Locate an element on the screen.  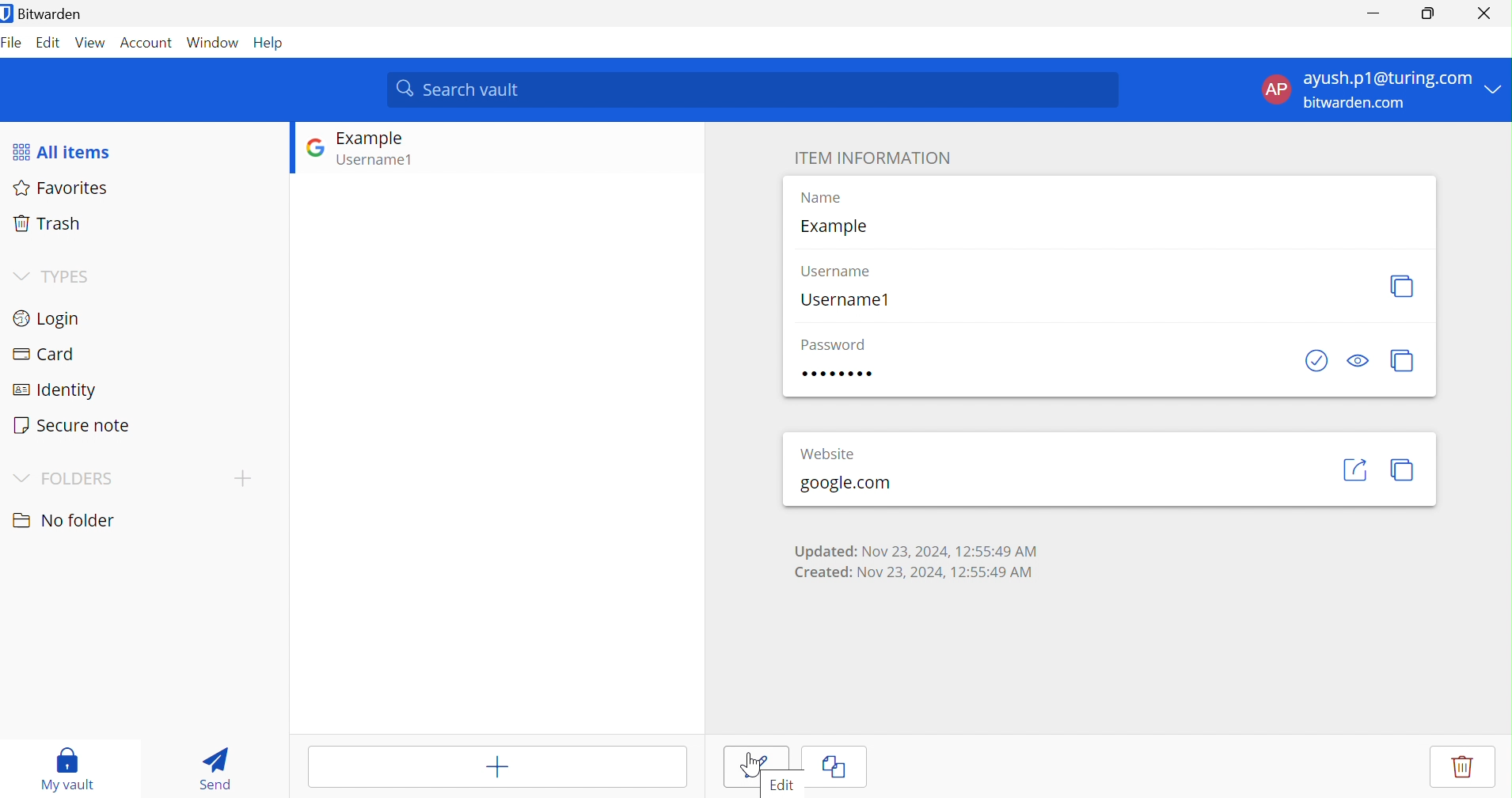
Account is located at coordinates (146, 42).